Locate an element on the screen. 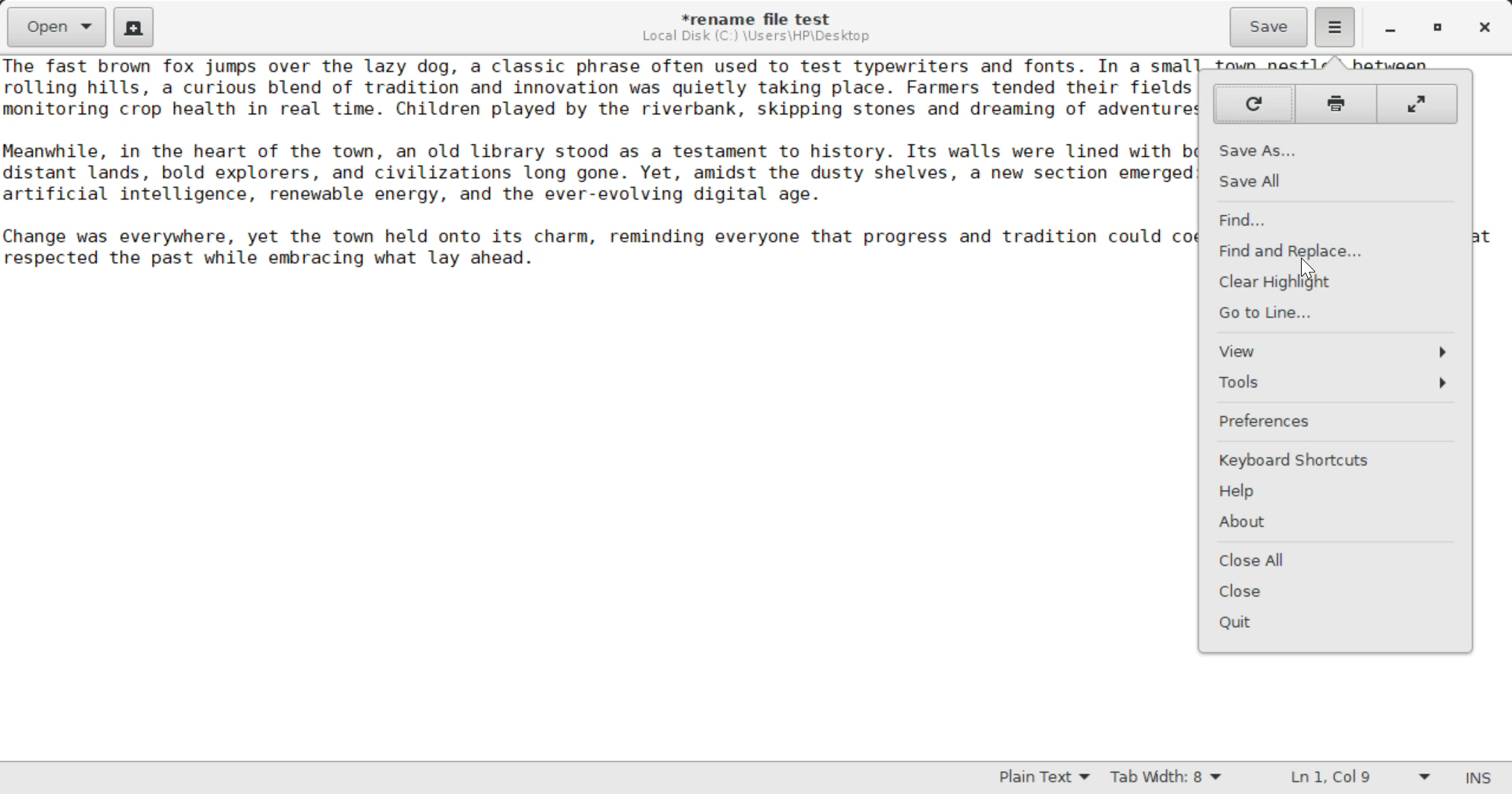 The height and width of the screenshot is (794, 1512). Selected Language is located at coordinates (1036, 779).